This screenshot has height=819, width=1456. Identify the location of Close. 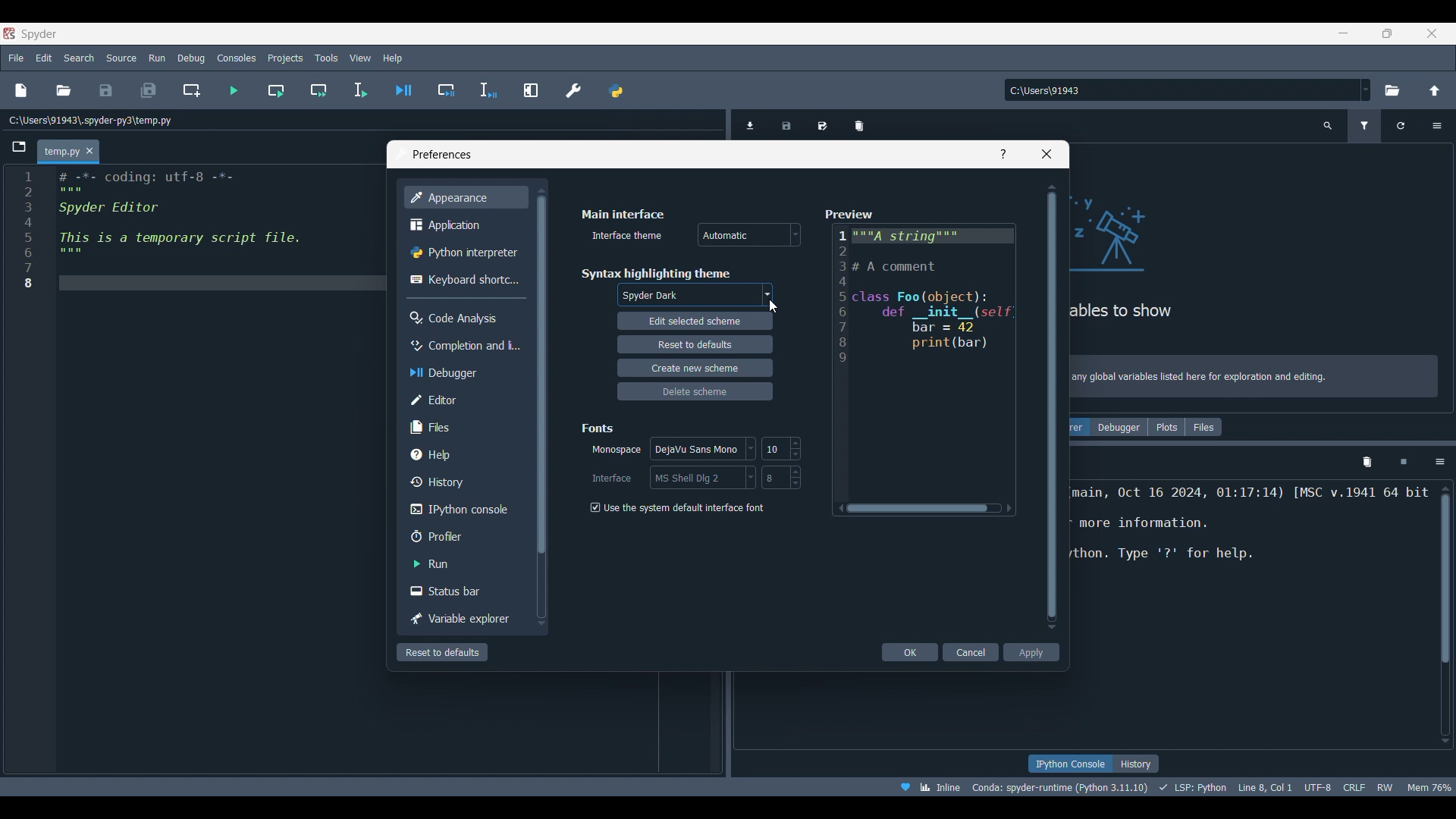
(90, 151).